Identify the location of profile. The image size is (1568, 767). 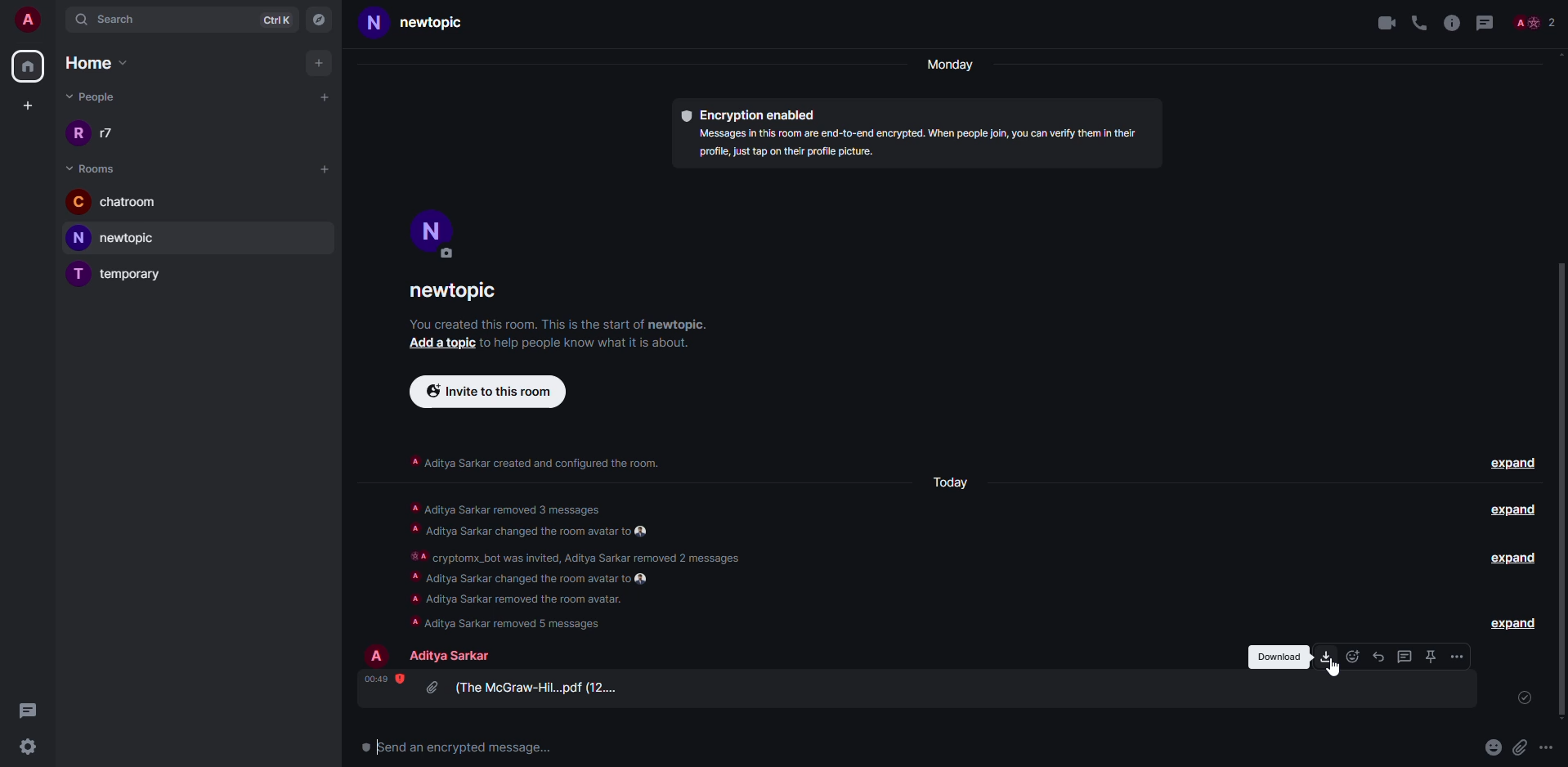
(435, 233).